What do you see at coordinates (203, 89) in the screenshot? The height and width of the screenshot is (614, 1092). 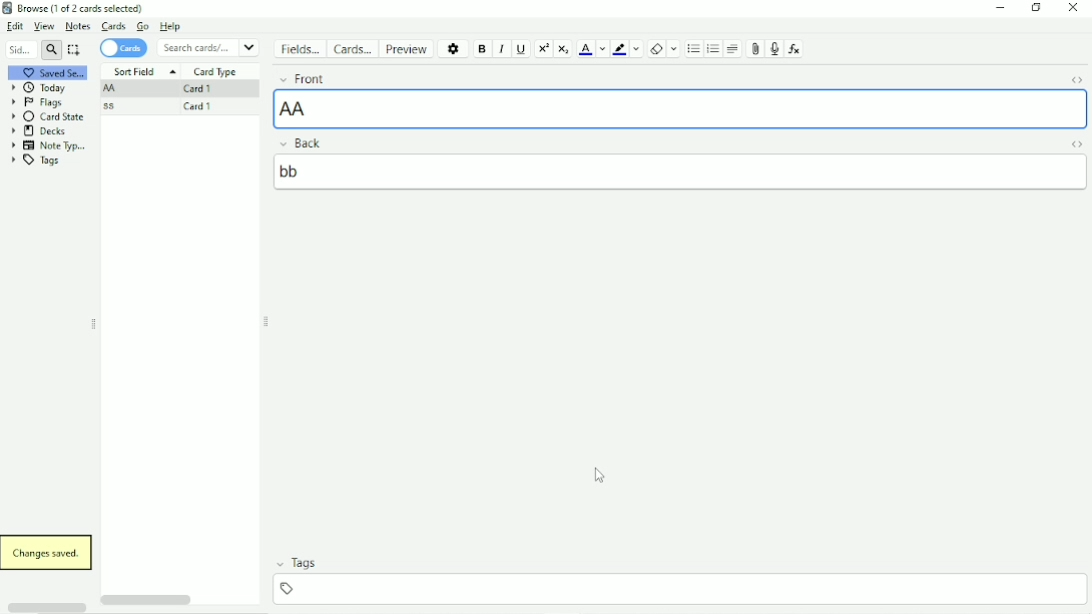 I see `Card 1` at bounding box center [203, 89].